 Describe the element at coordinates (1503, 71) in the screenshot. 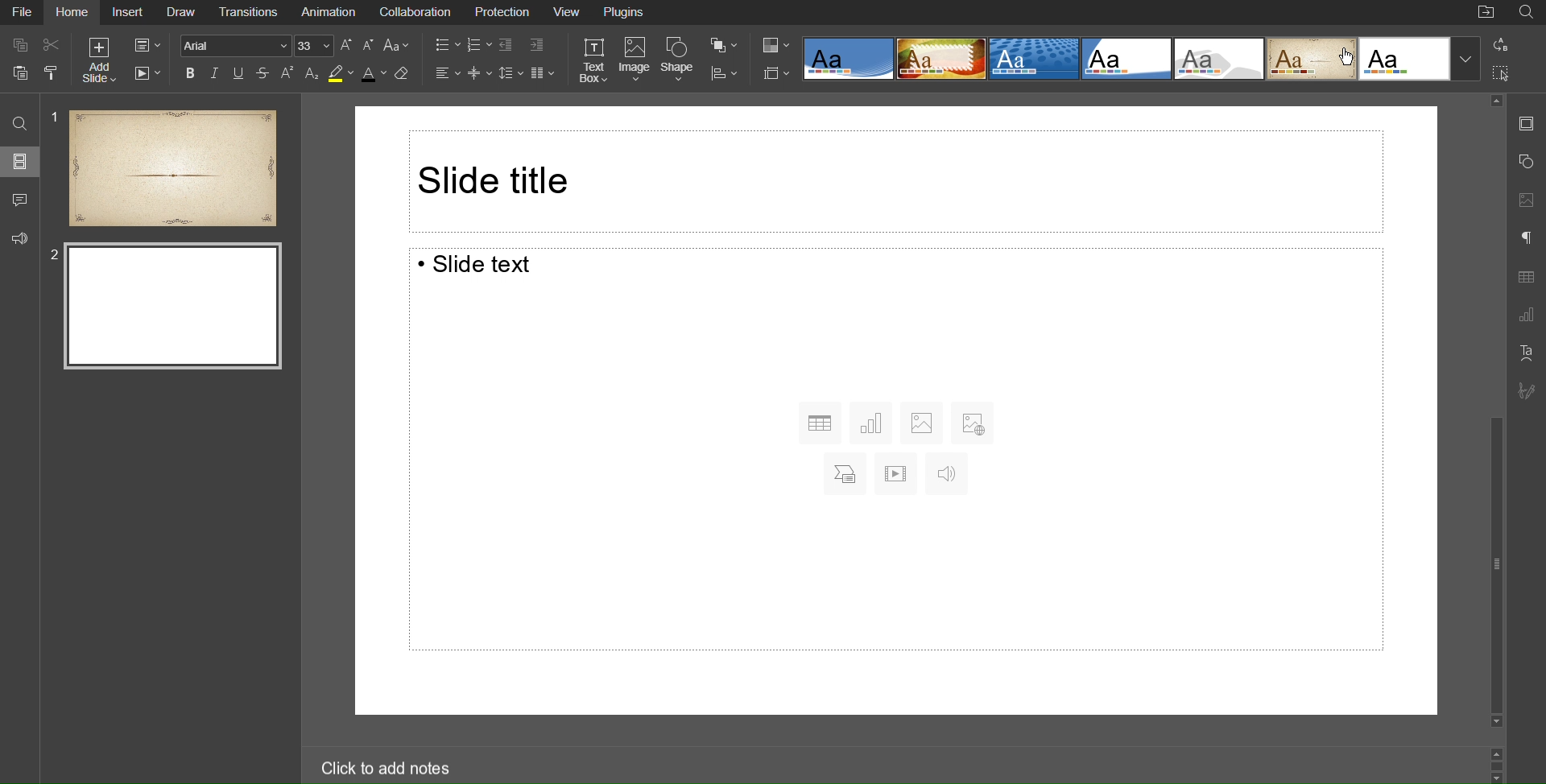

I see `Select` at that location.